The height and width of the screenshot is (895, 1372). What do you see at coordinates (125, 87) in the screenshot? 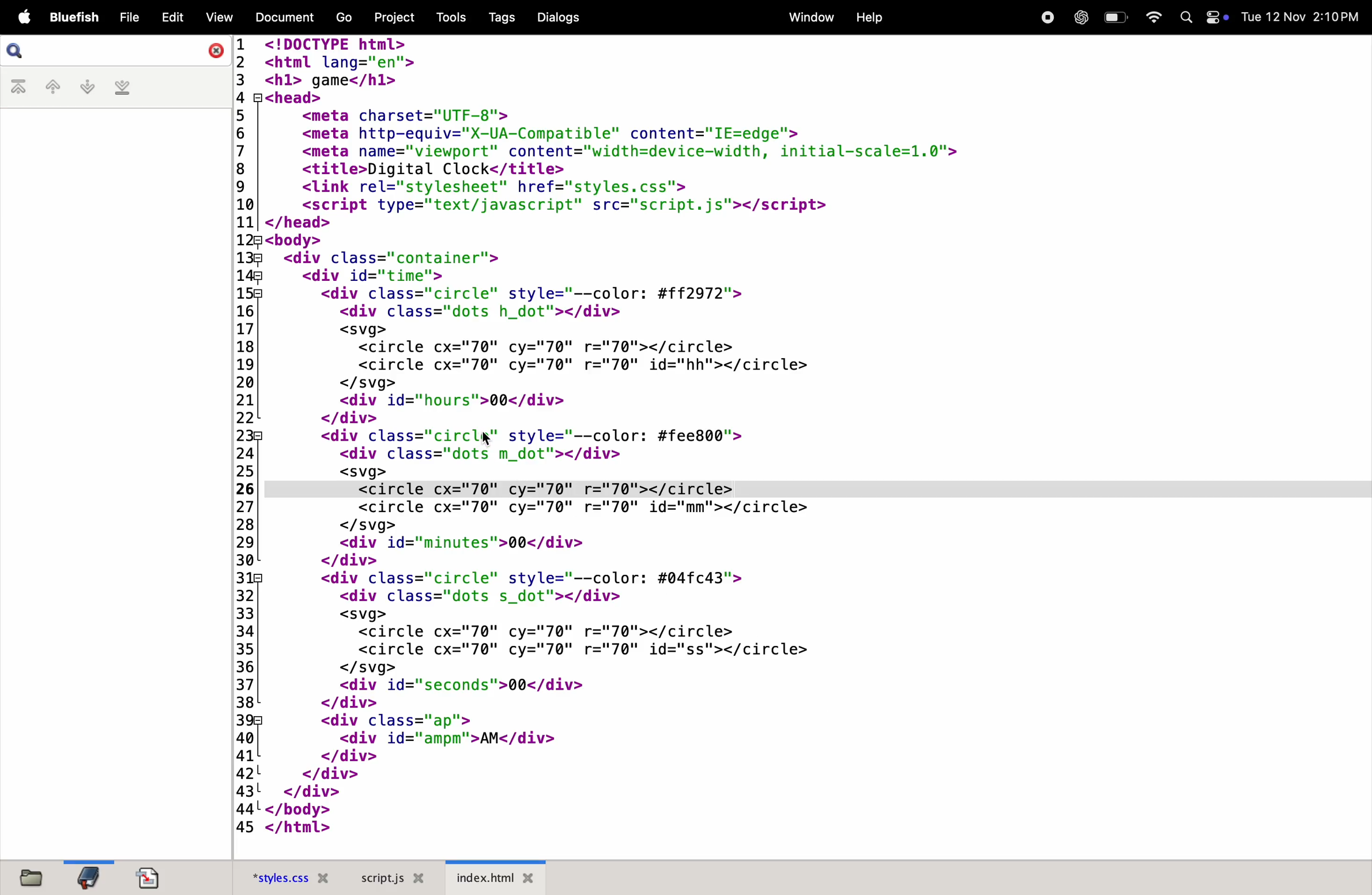
I see `last bookmark` at bounding box center [125, 87].